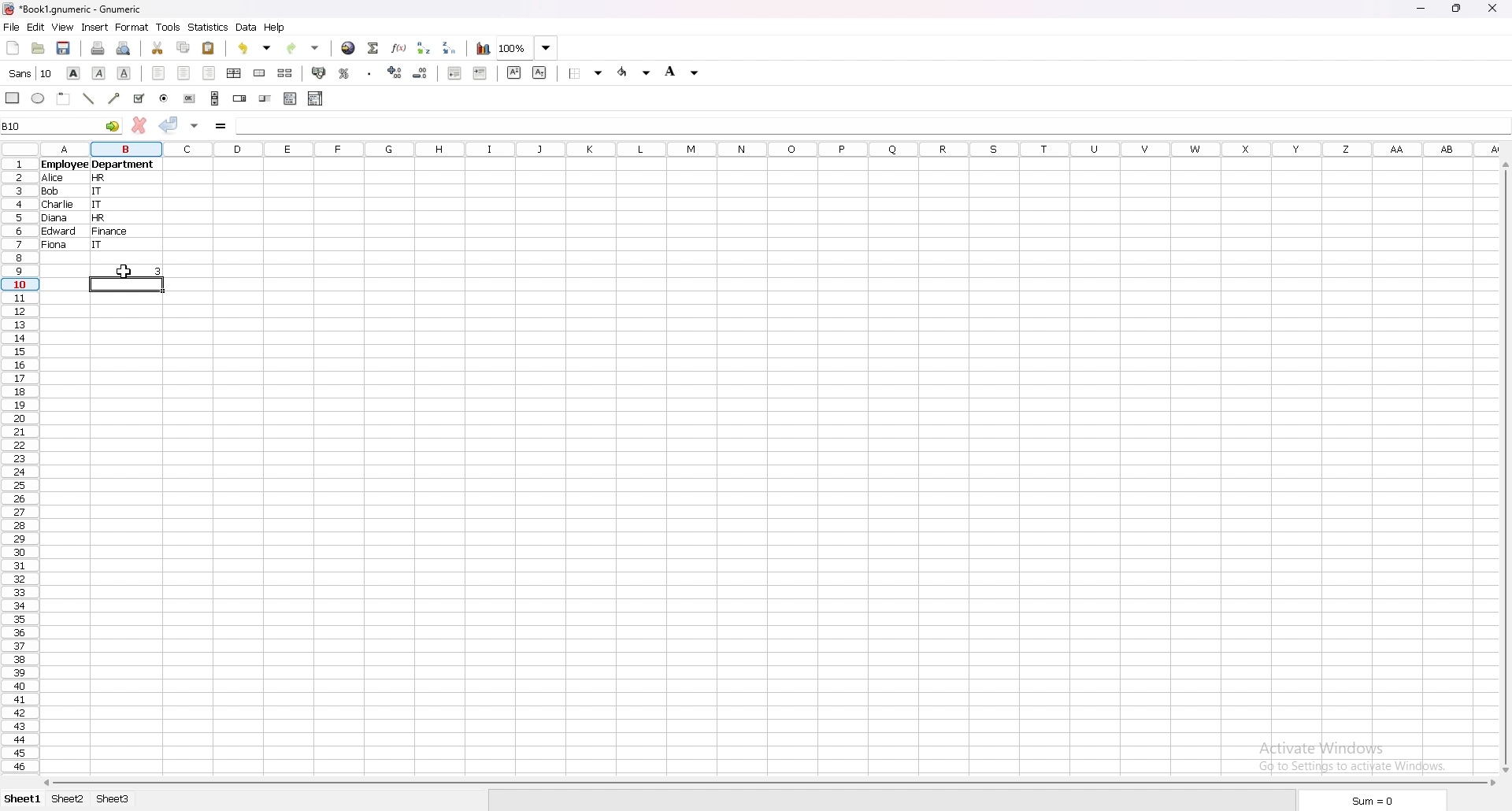 The image size is (1512, 811). I want to click on Finance, so click(111, 232).